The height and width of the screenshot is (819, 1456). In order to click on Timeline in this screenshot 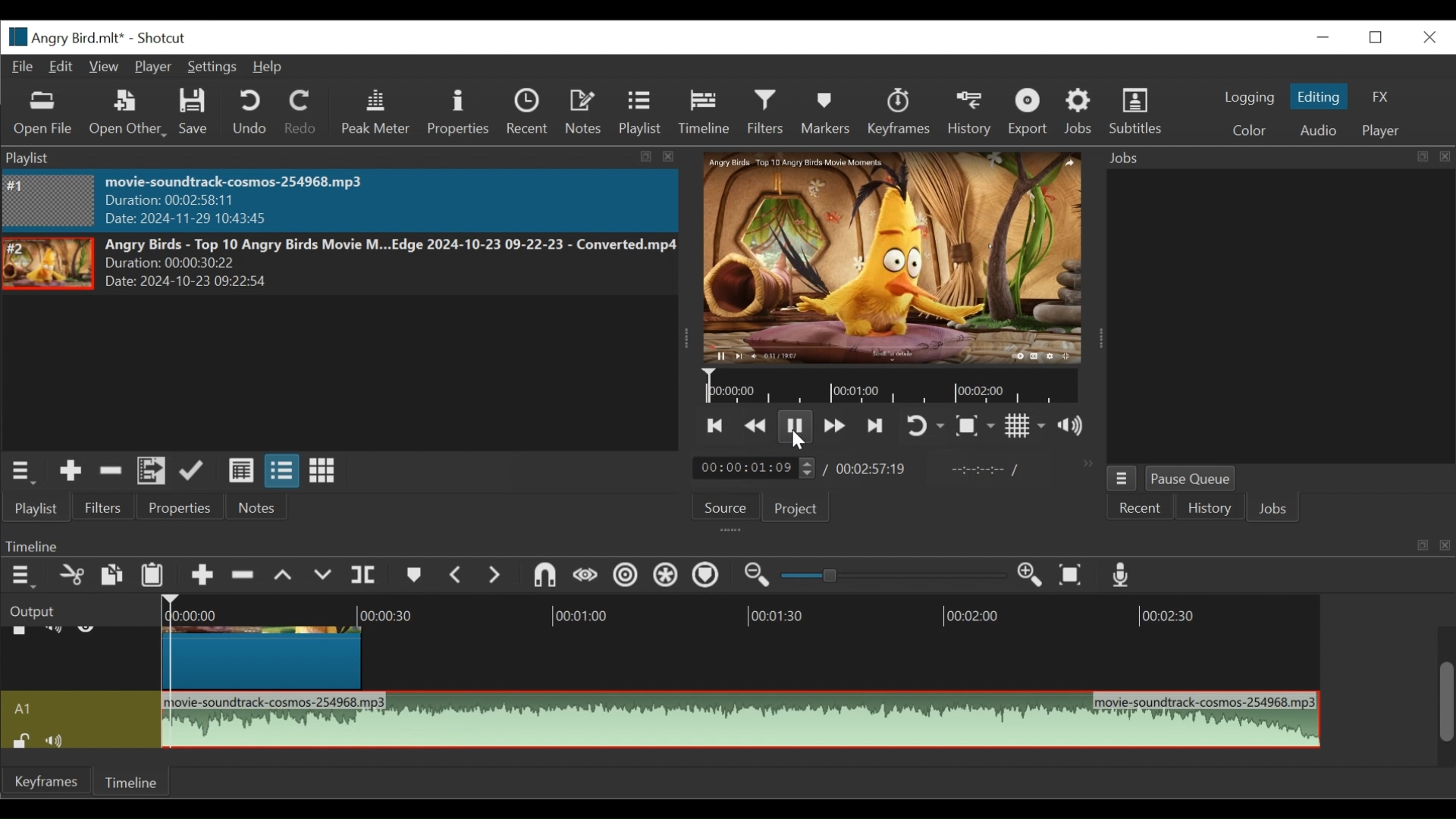, I will do `click(715, 612)`.